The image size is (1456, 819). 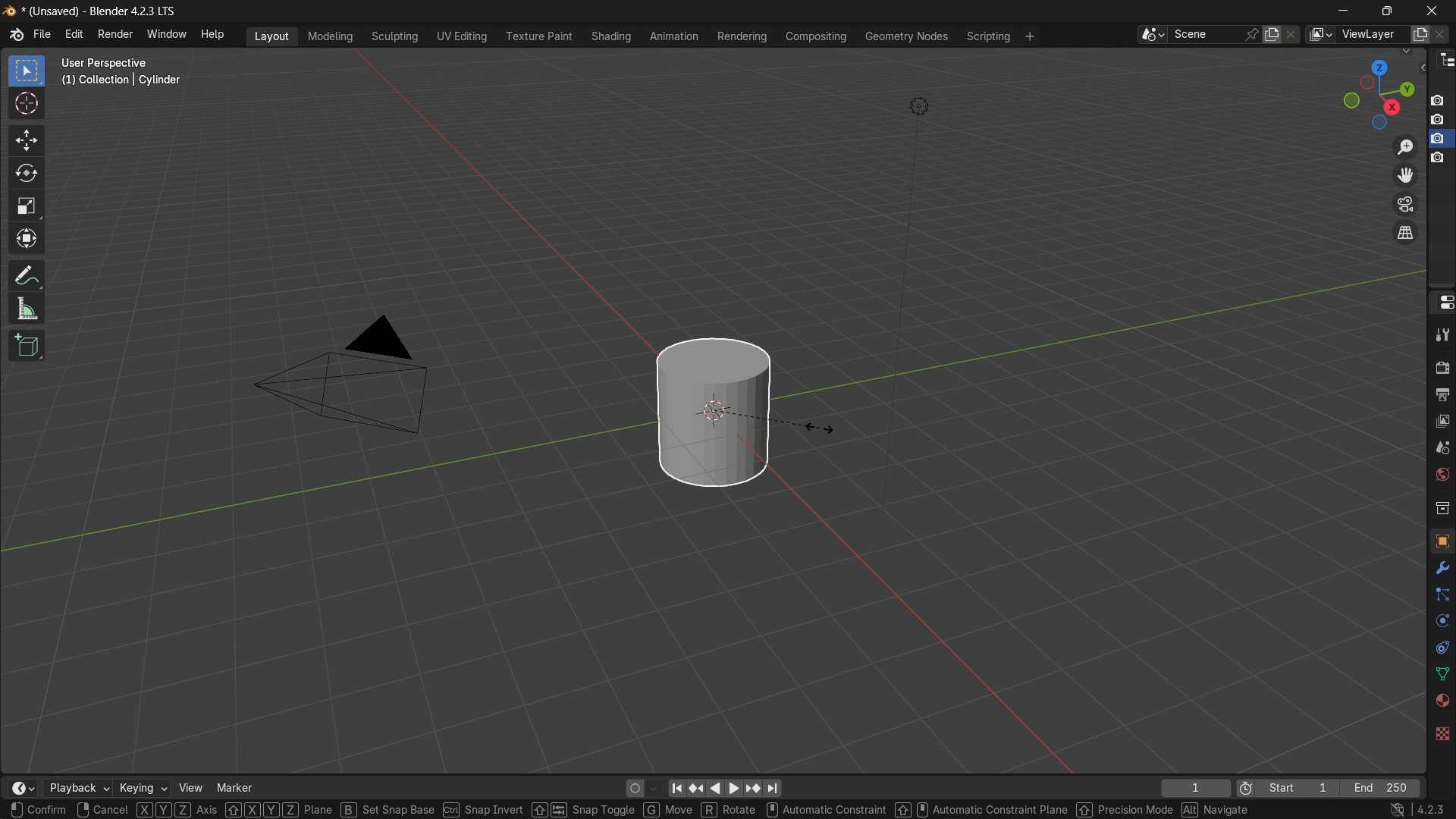 What do you see at coordinates (1441, 337) in the screenshot?
I see `tools` at bounding box center [1441, 337].